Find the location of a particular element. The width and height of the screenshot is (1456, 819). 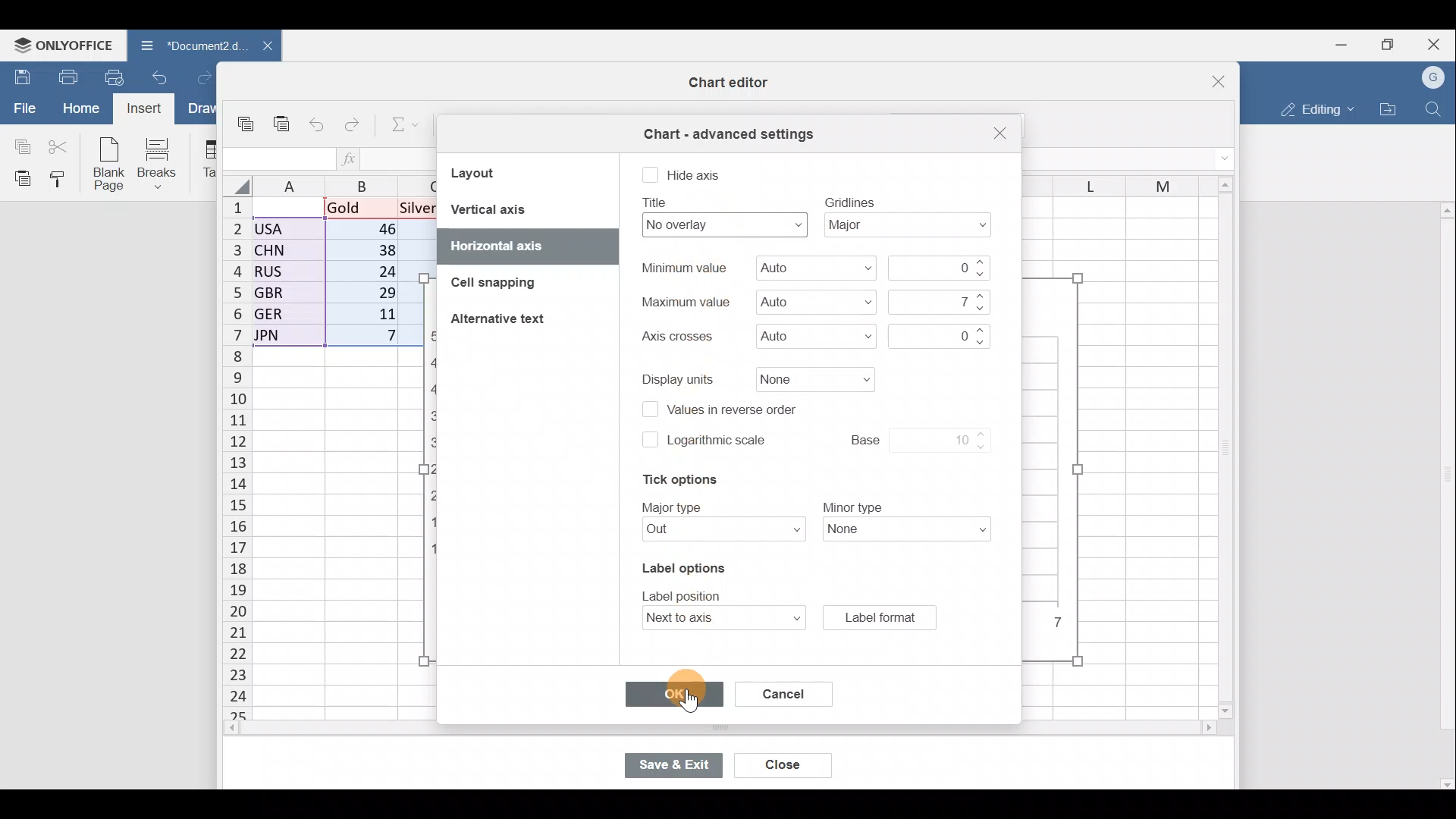

Editing mode is located at coordinates (1313, 111).